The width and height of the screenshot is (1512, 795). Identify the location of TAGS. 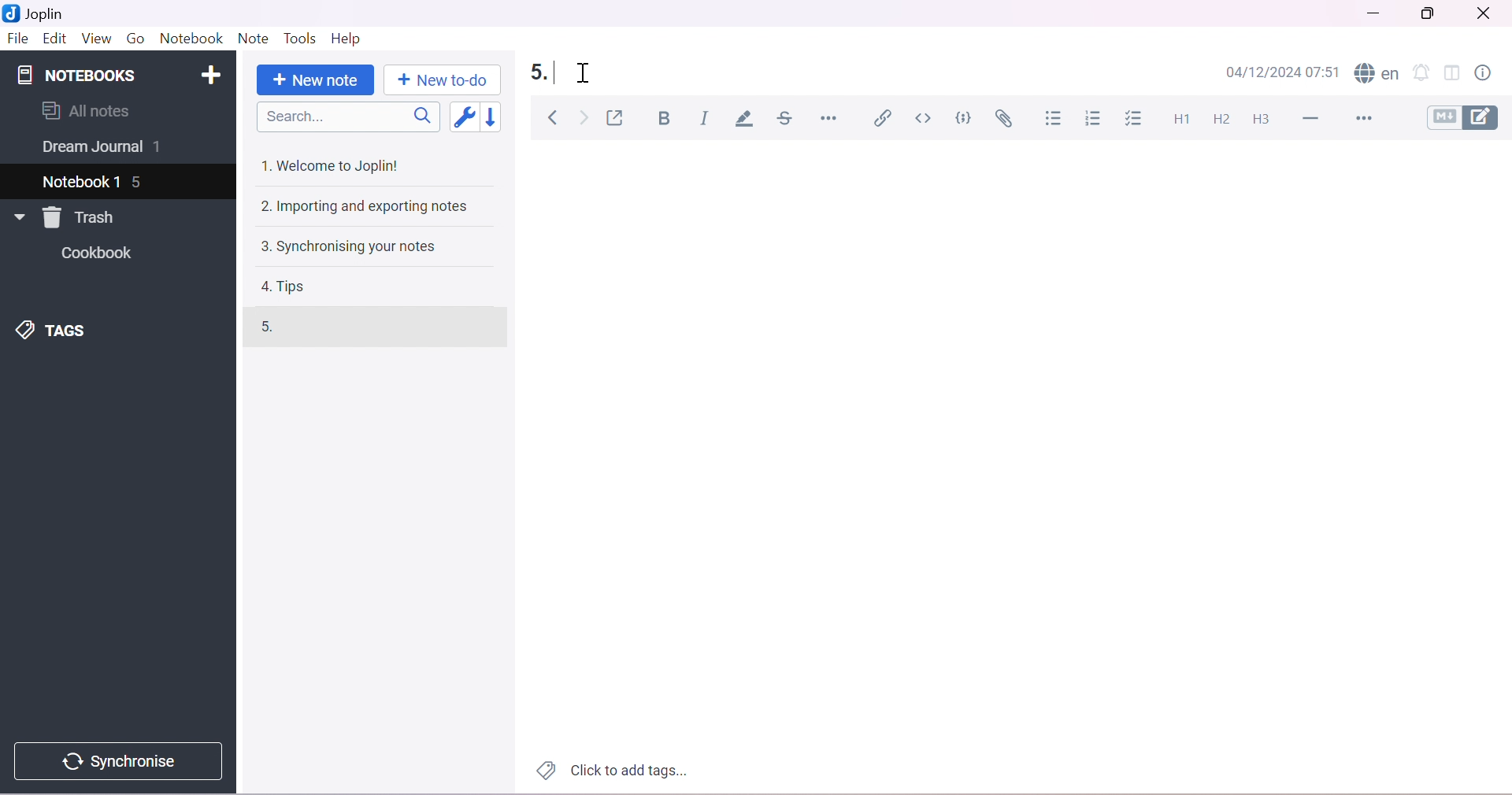
(58, 329).